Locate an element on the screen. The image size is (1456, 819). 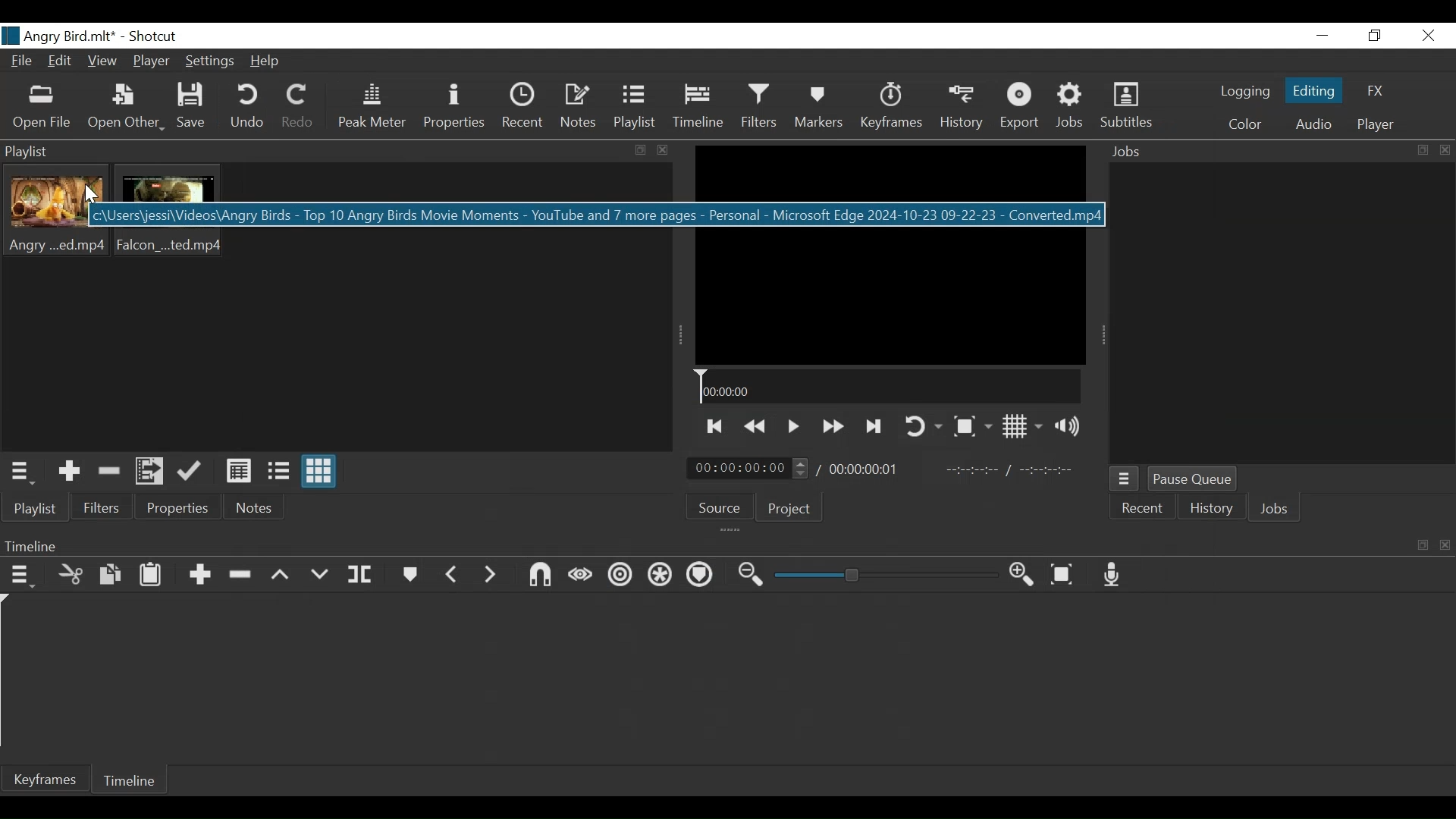
Export is located at coordinates (1021, 108).